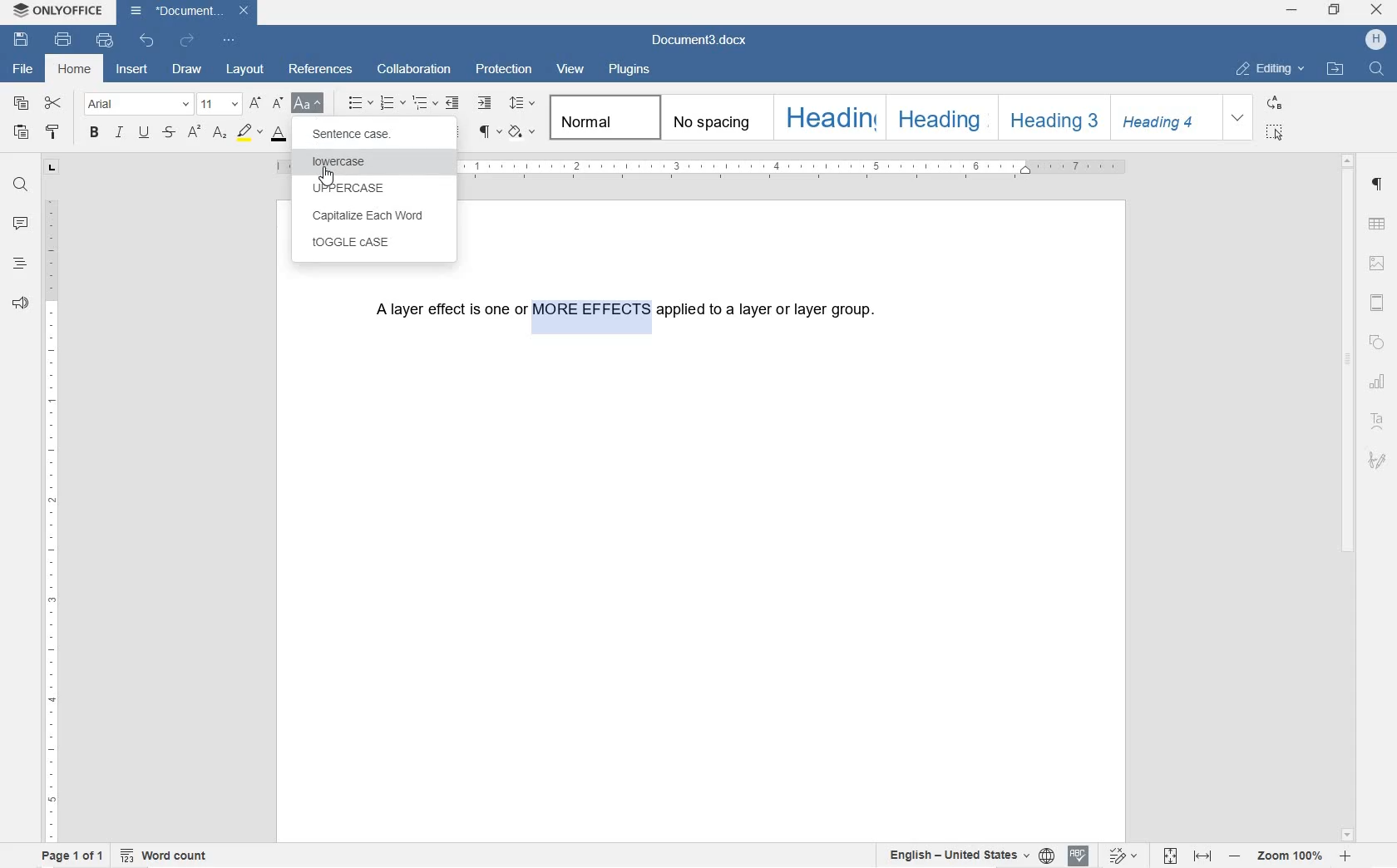 This screenshot has width=1397, height=868. What do you see at coordinates (187, 68) in the screenshot?
I see `DRAW` at bounding box center [187, 68].